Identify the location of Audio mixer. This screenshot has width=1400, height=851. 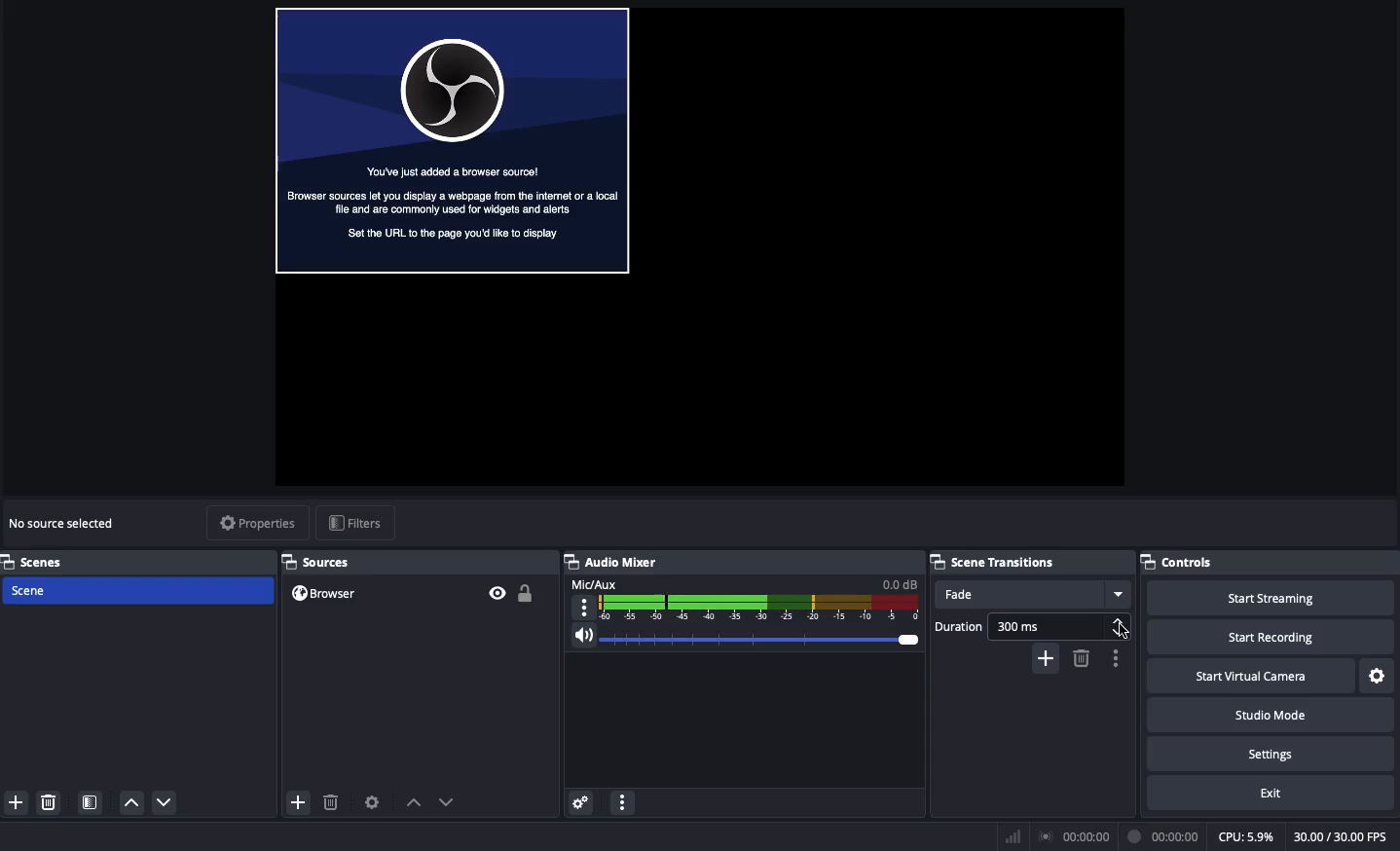
(614, 561).